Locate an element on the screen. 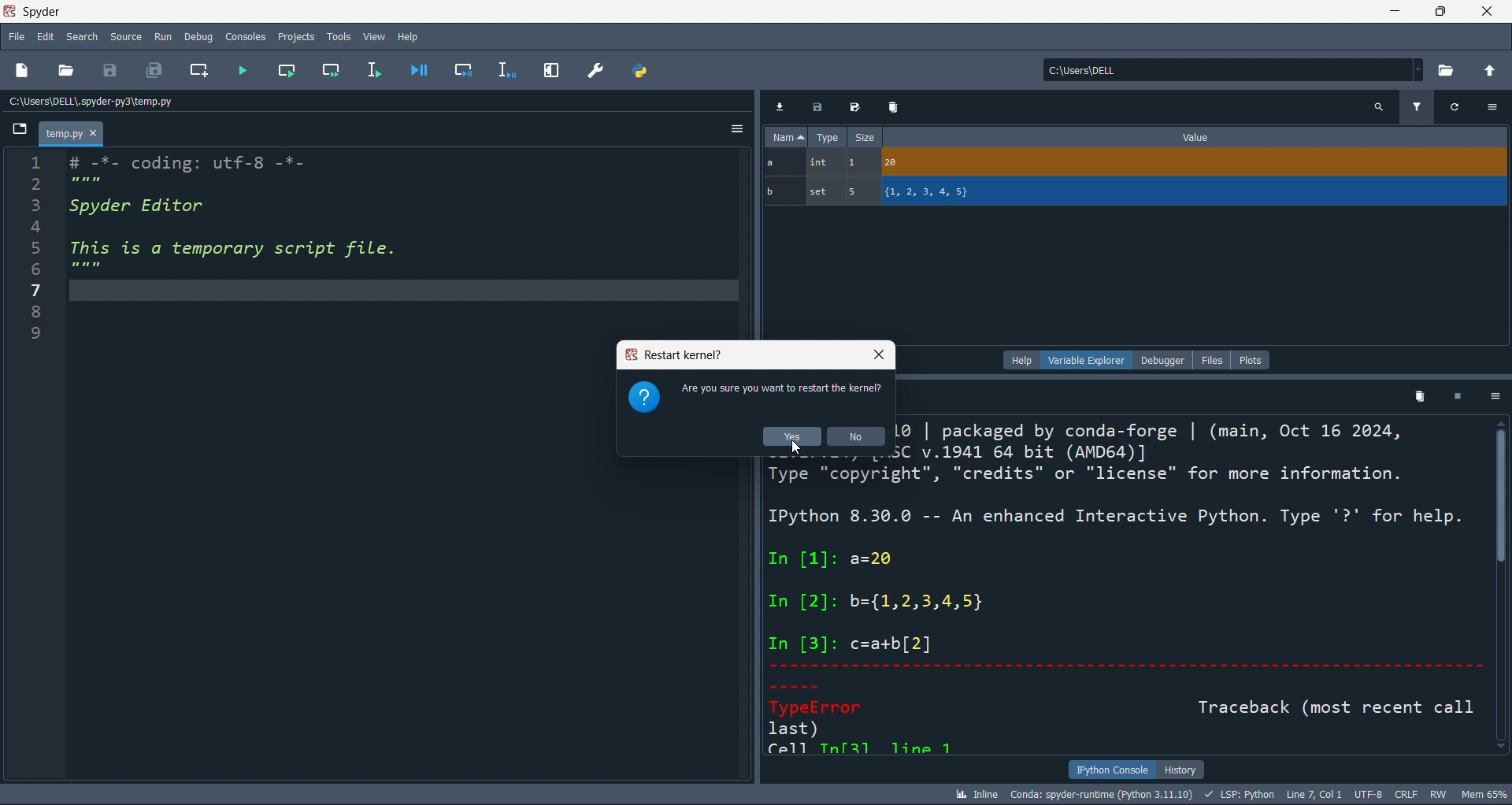 The width and height of the screenshot is (1512, 805). no is located at coordinates (857, 436).